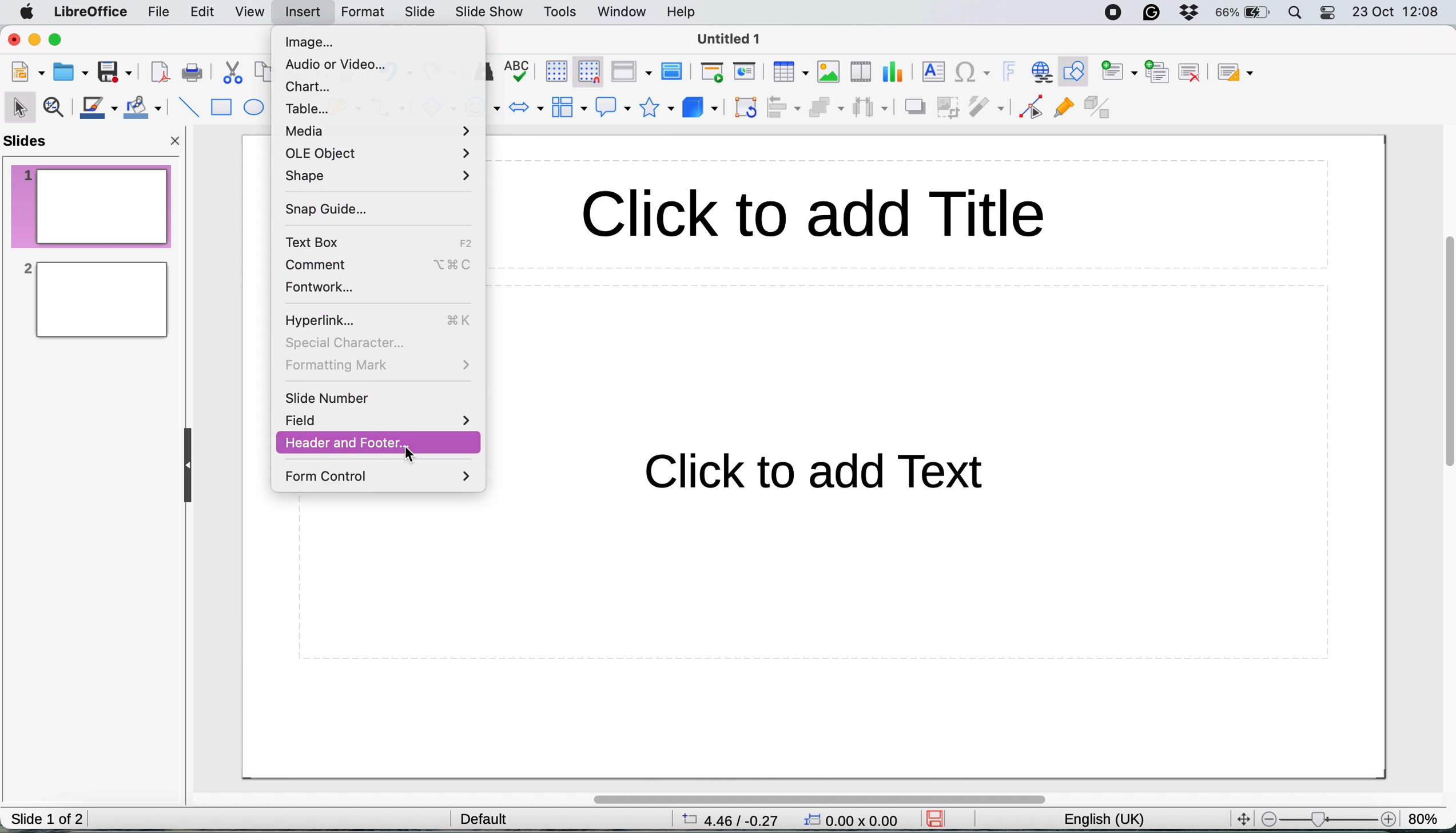  What do you see at coordinates (1240, 73) in the screenshot?
I see `slide layout` at bounding box center [1240, 73].